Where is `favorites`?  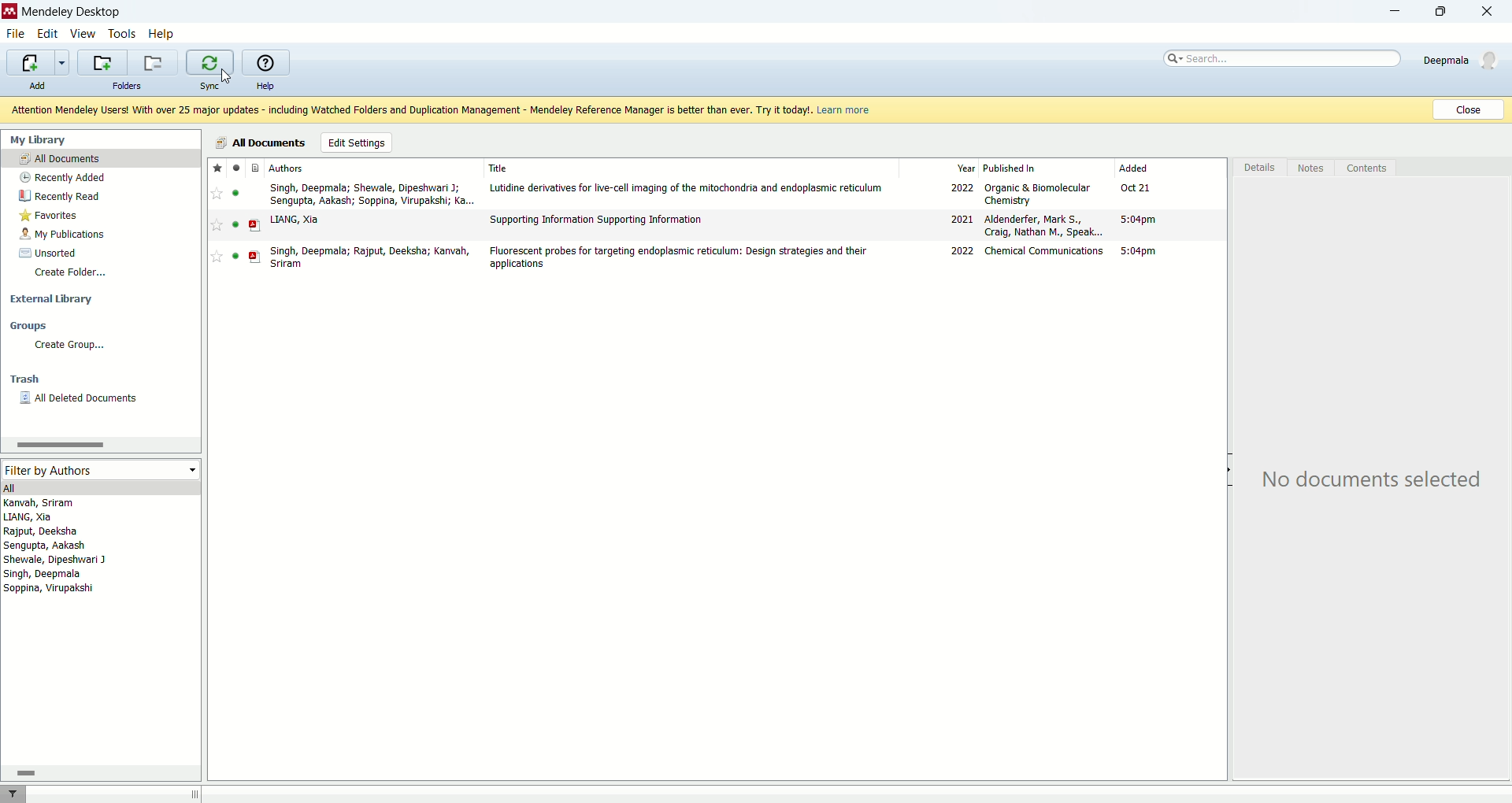
favorites is located at coordinates (216, 168).